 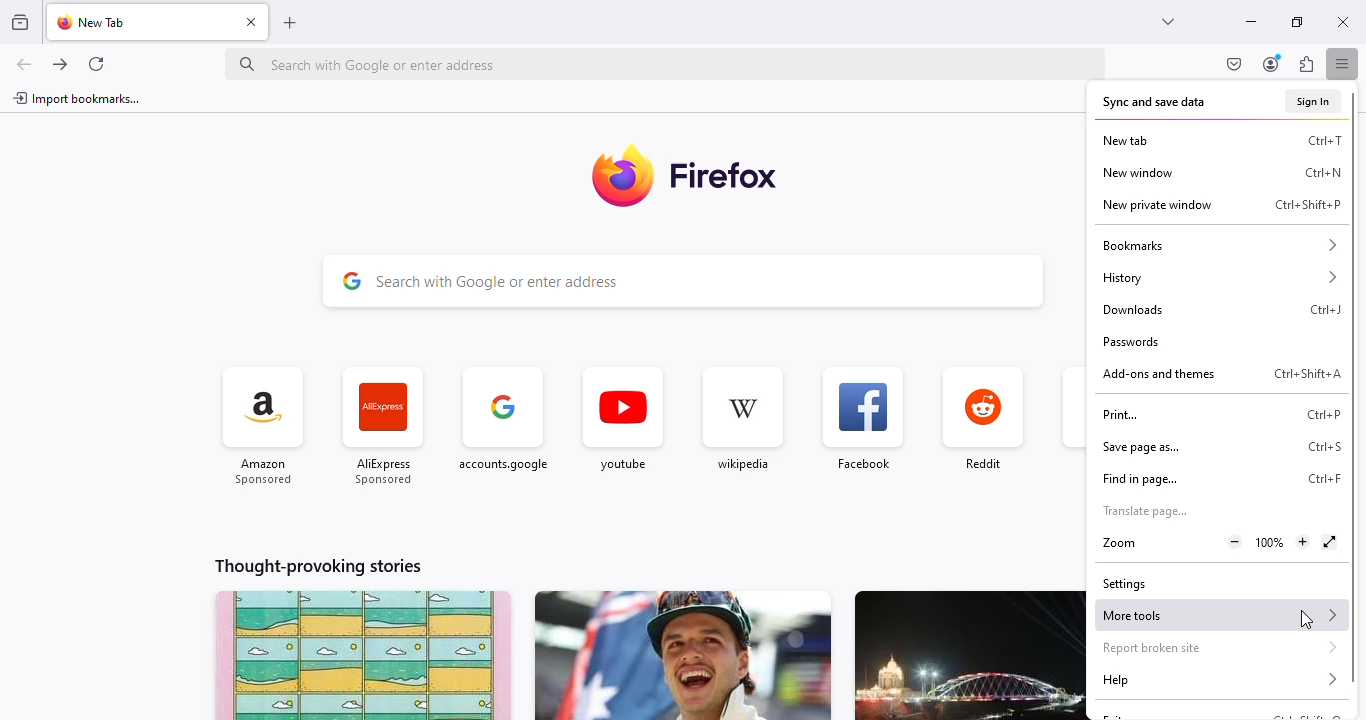 What do you see at coordinates (1220, 680) in the screenshot?
I see `help` at bounding box center [1220, 680].